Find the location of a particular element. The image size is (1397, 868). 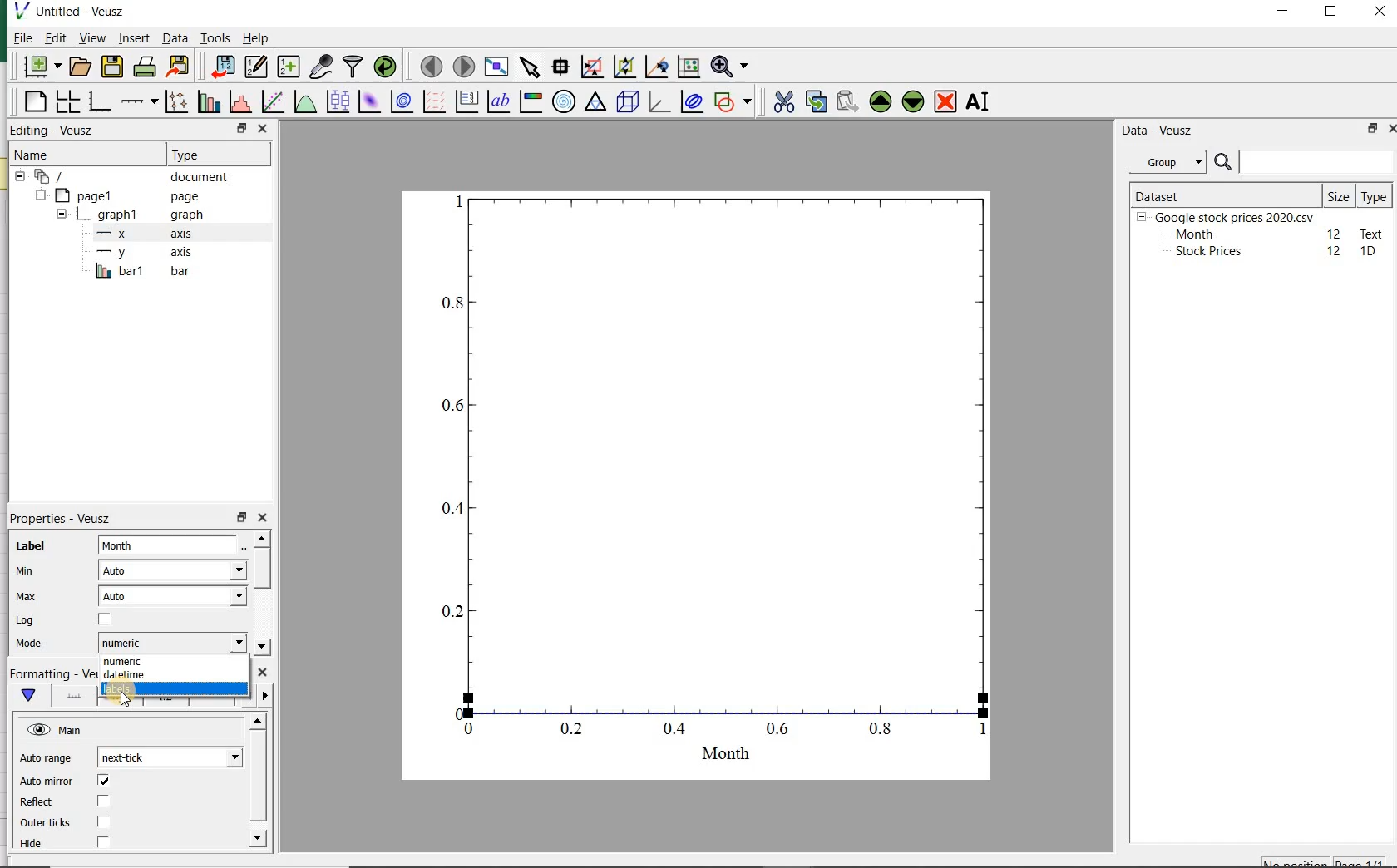

numeric is located at coordinates (128, 660).